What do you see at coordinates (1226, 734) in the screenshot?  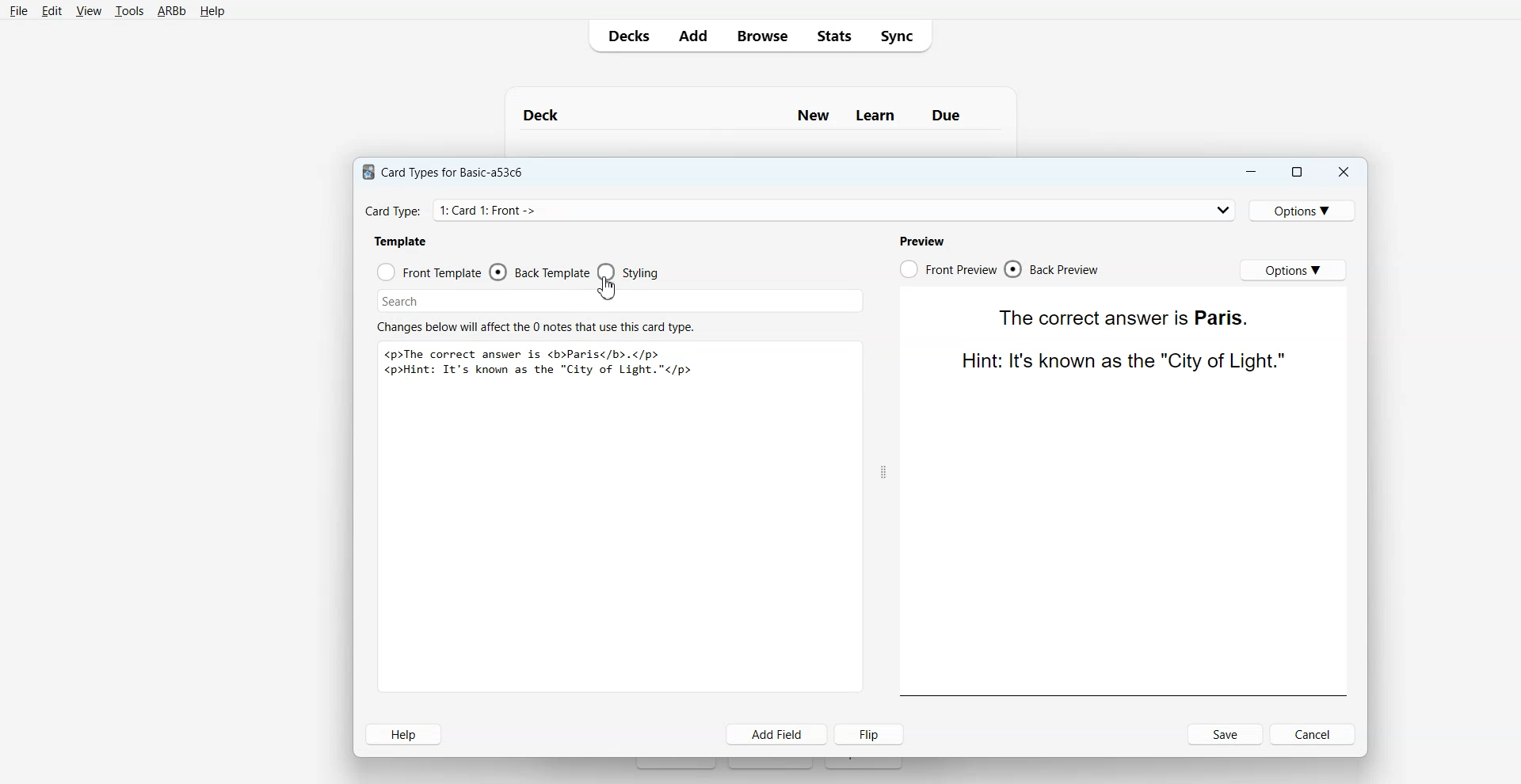 I see `Save` at bounding box center [1226, 734].